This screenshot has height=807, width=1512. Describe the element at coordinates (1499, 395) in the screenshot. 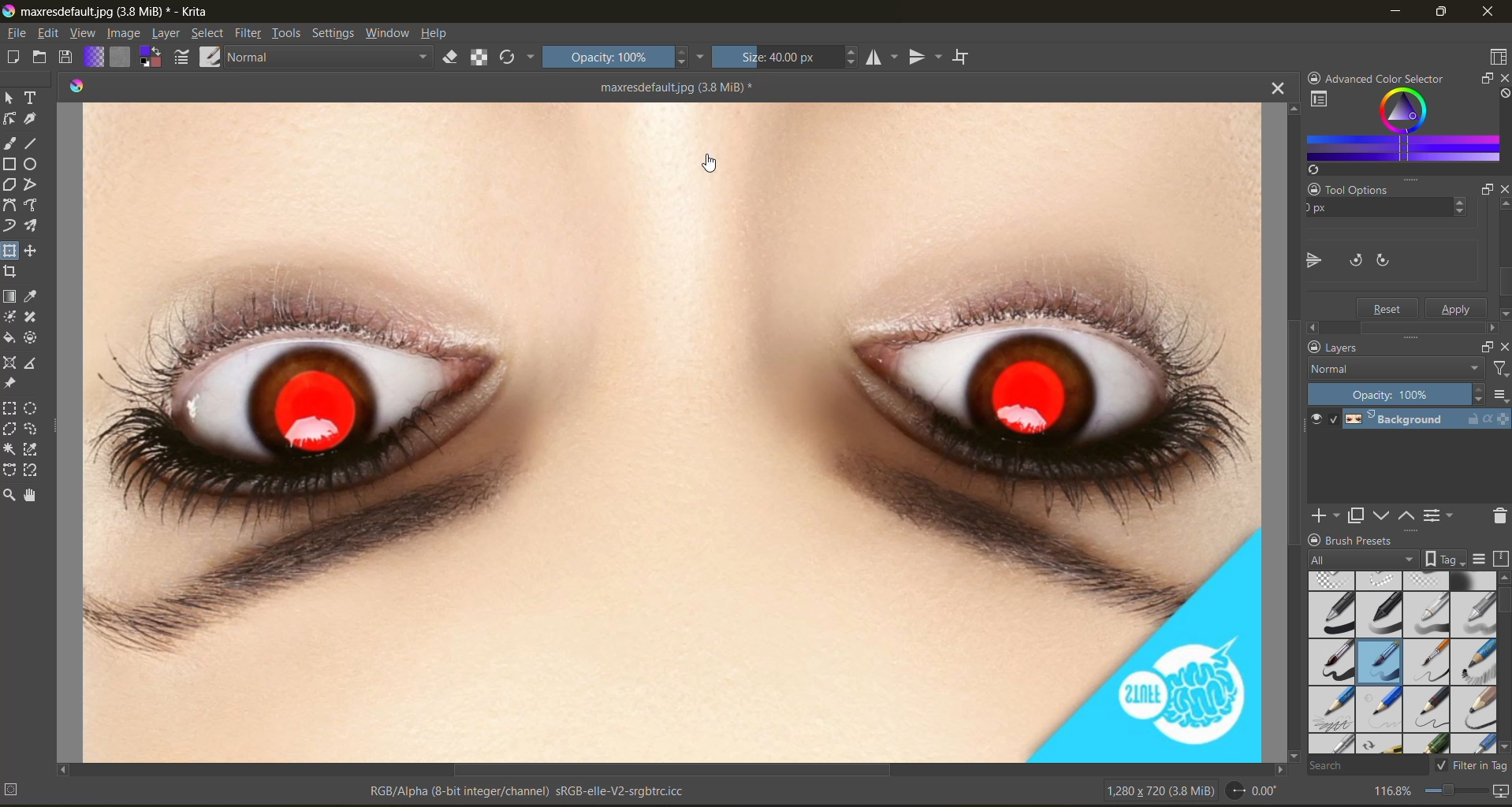

I see `options` at that location.